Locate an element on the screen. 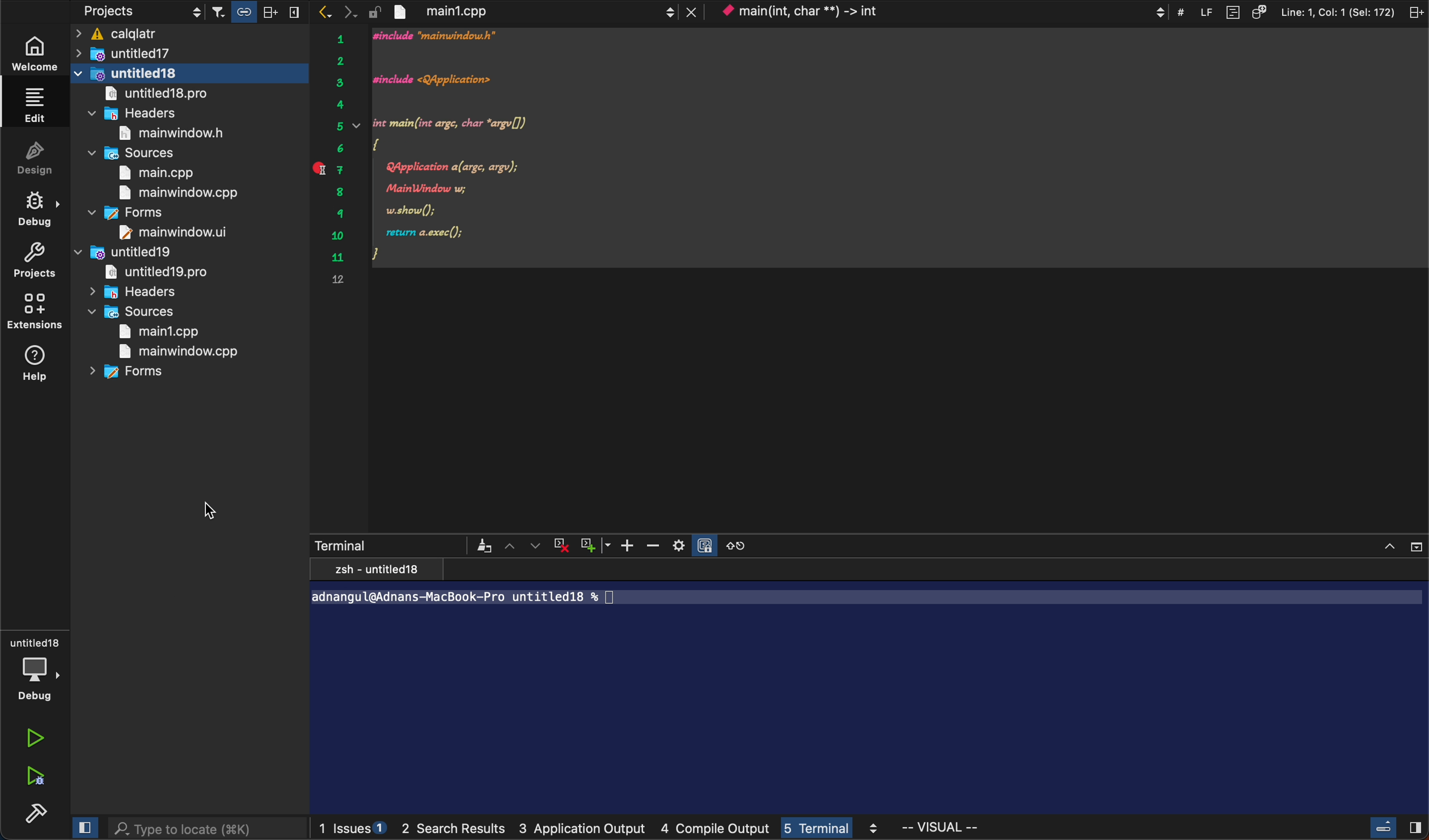 The image size is (1429, 840). main window .cpp is located at coordinates (177, 193).